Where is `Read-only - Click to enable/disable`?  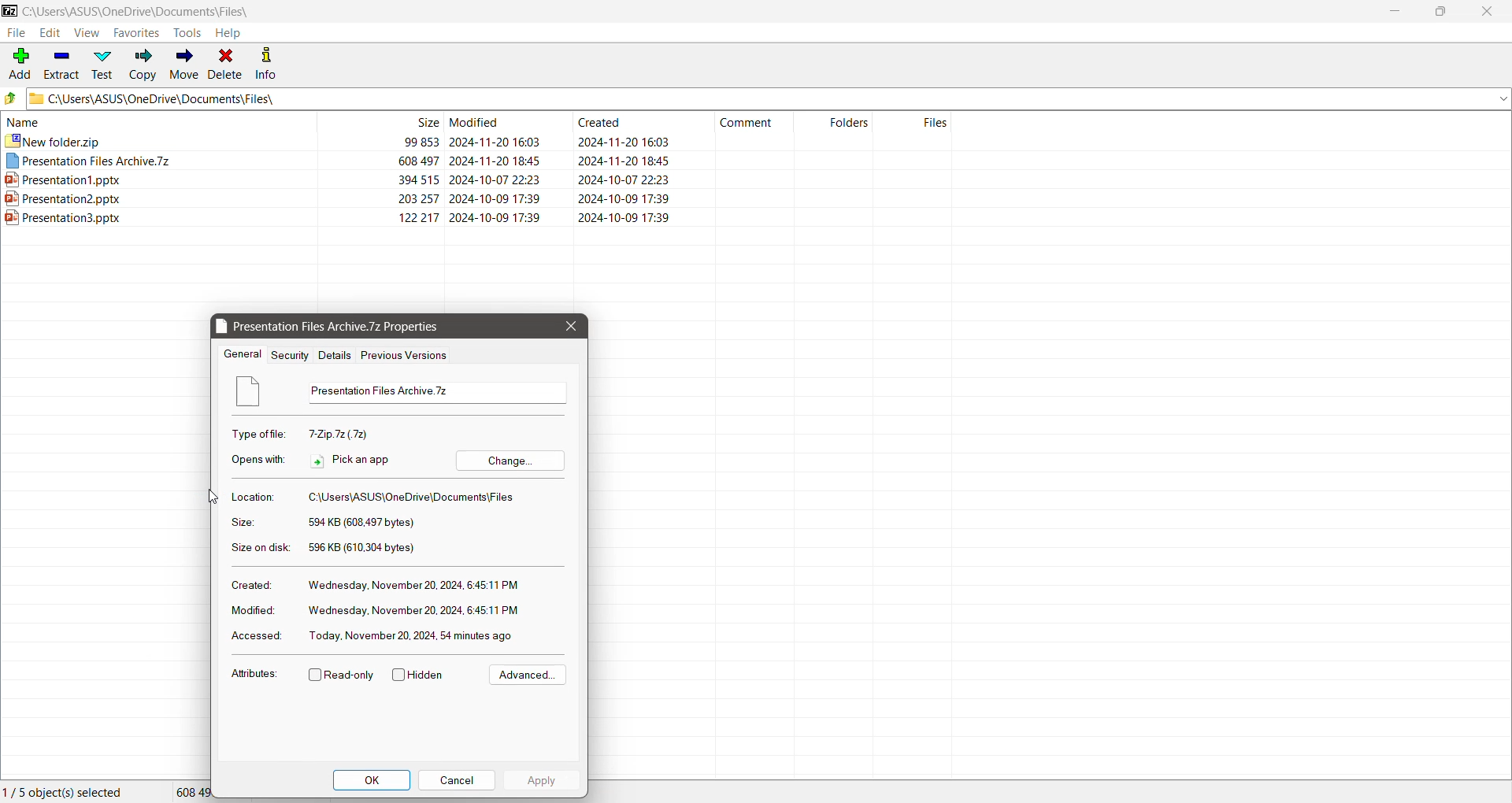
Read-only - Click to enable/disable is located at coordinates (343, 675).